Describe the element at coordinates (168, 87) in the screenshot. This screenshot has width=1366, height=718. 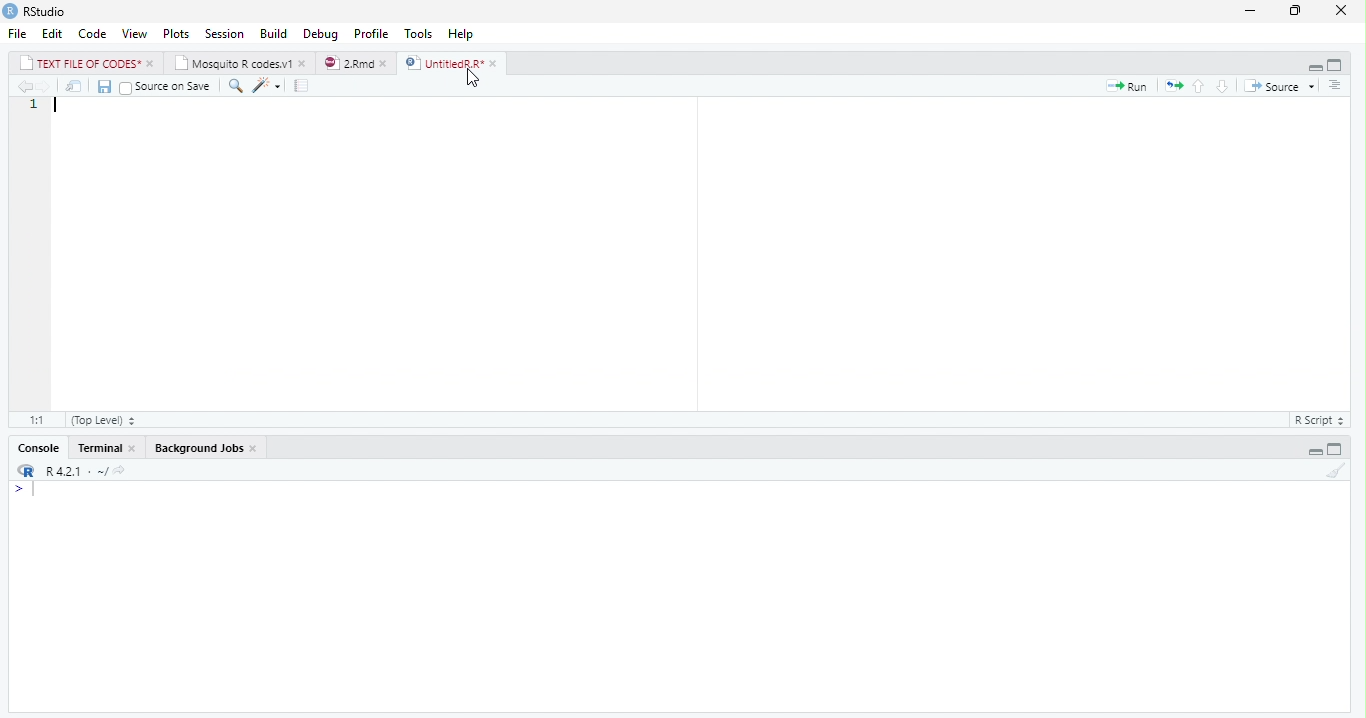
I see `source on save` at that location.